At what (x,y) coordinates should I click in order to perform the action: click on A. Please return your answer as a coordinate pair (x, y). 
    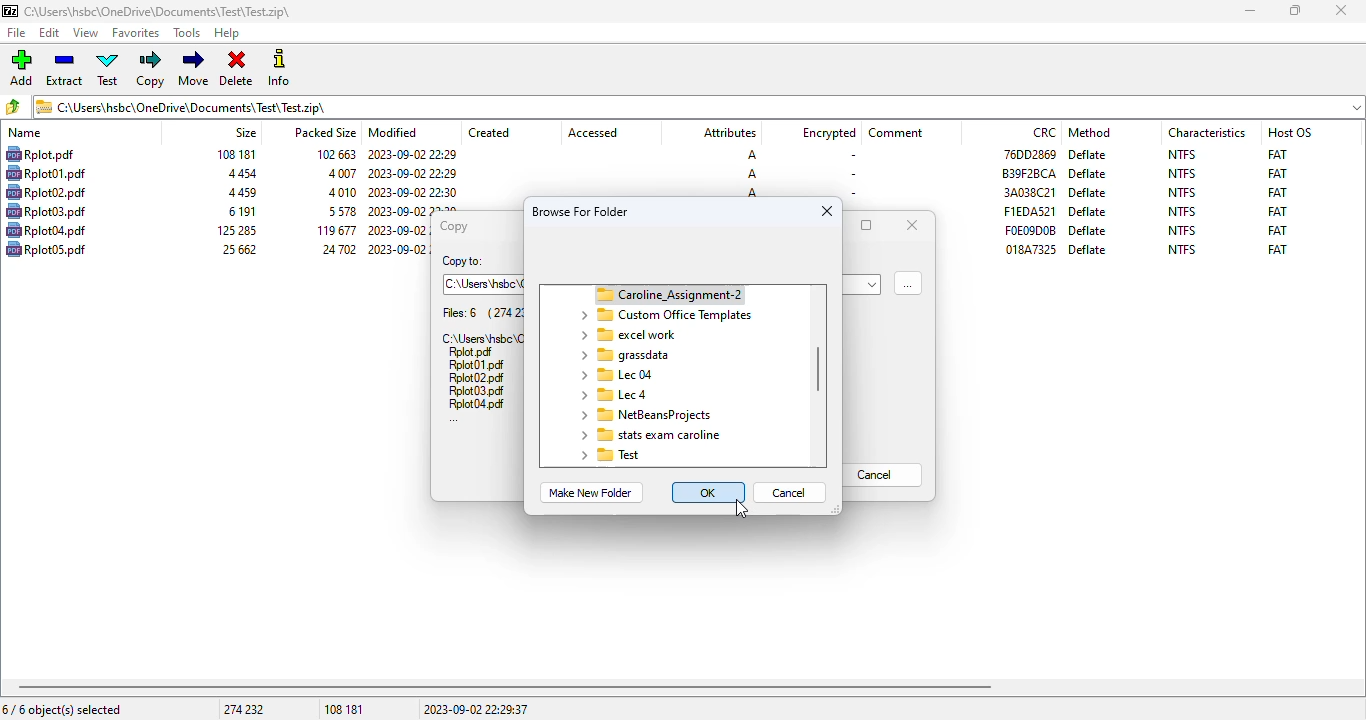
    Looking at the image, I should click on (752, 193).